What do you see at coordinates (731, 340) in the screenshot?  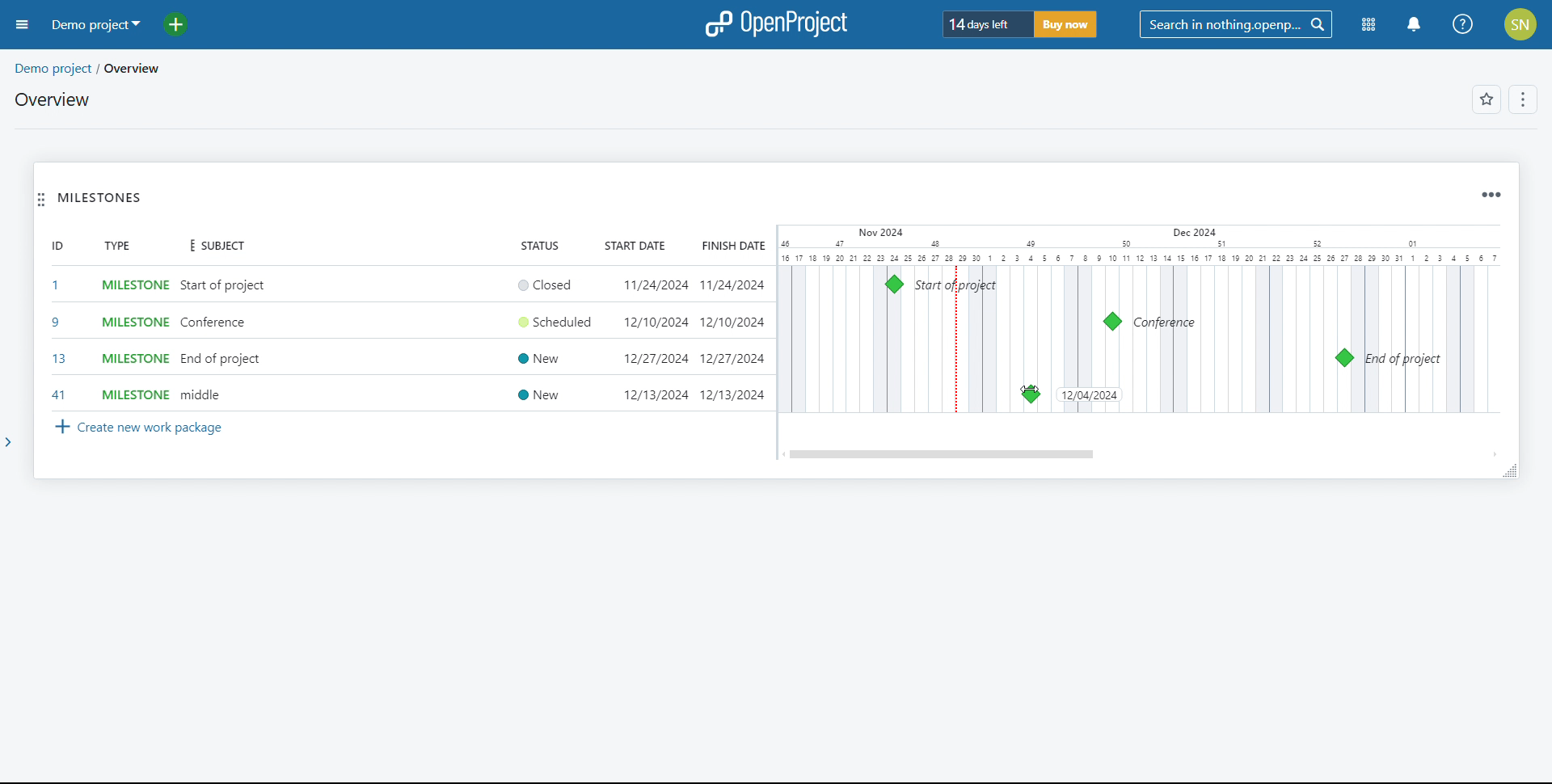 I see `finish date` at bounding box center [731, 340].